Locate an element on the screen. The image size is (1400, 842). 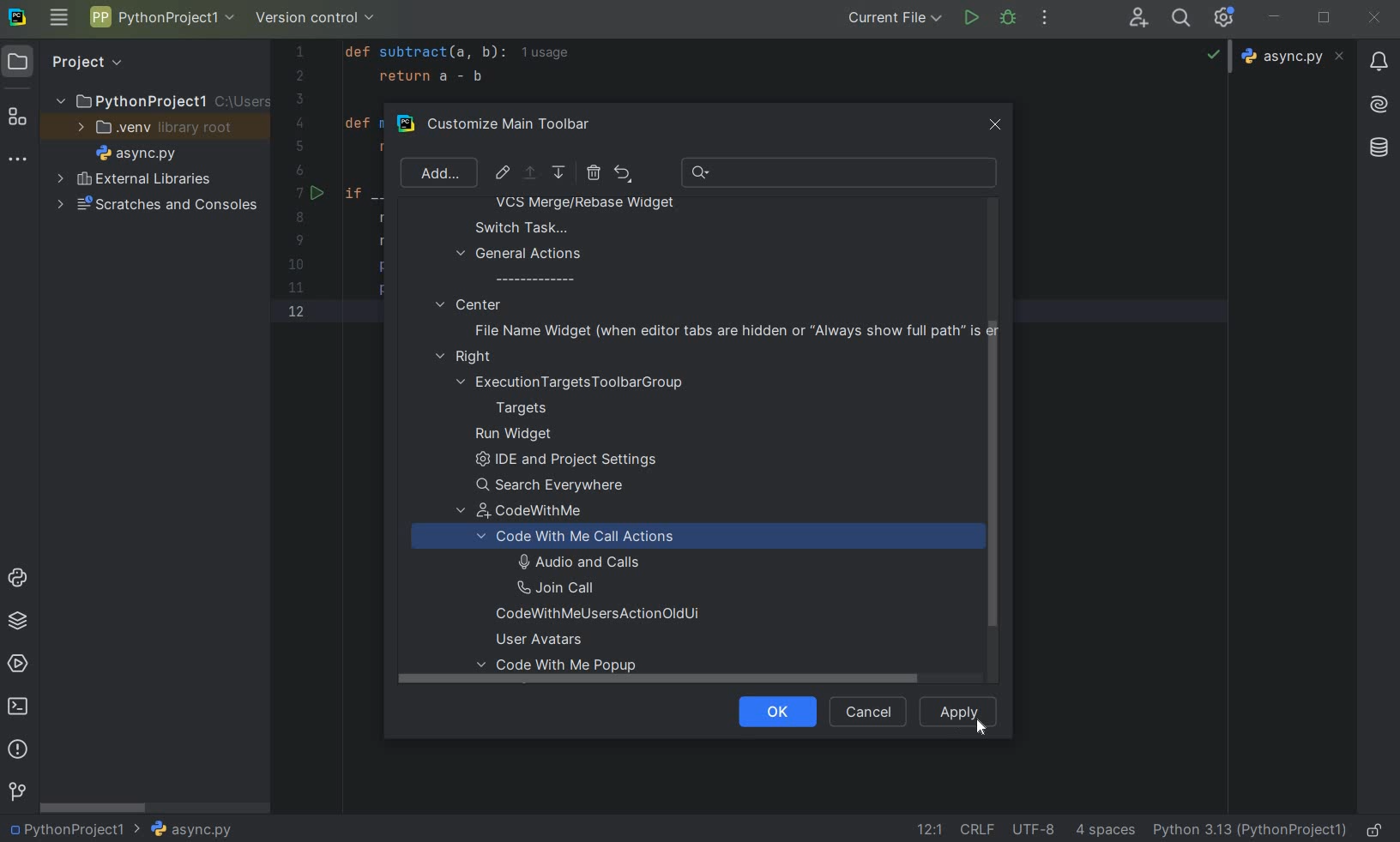
 is located at coordinates (1379, 102).